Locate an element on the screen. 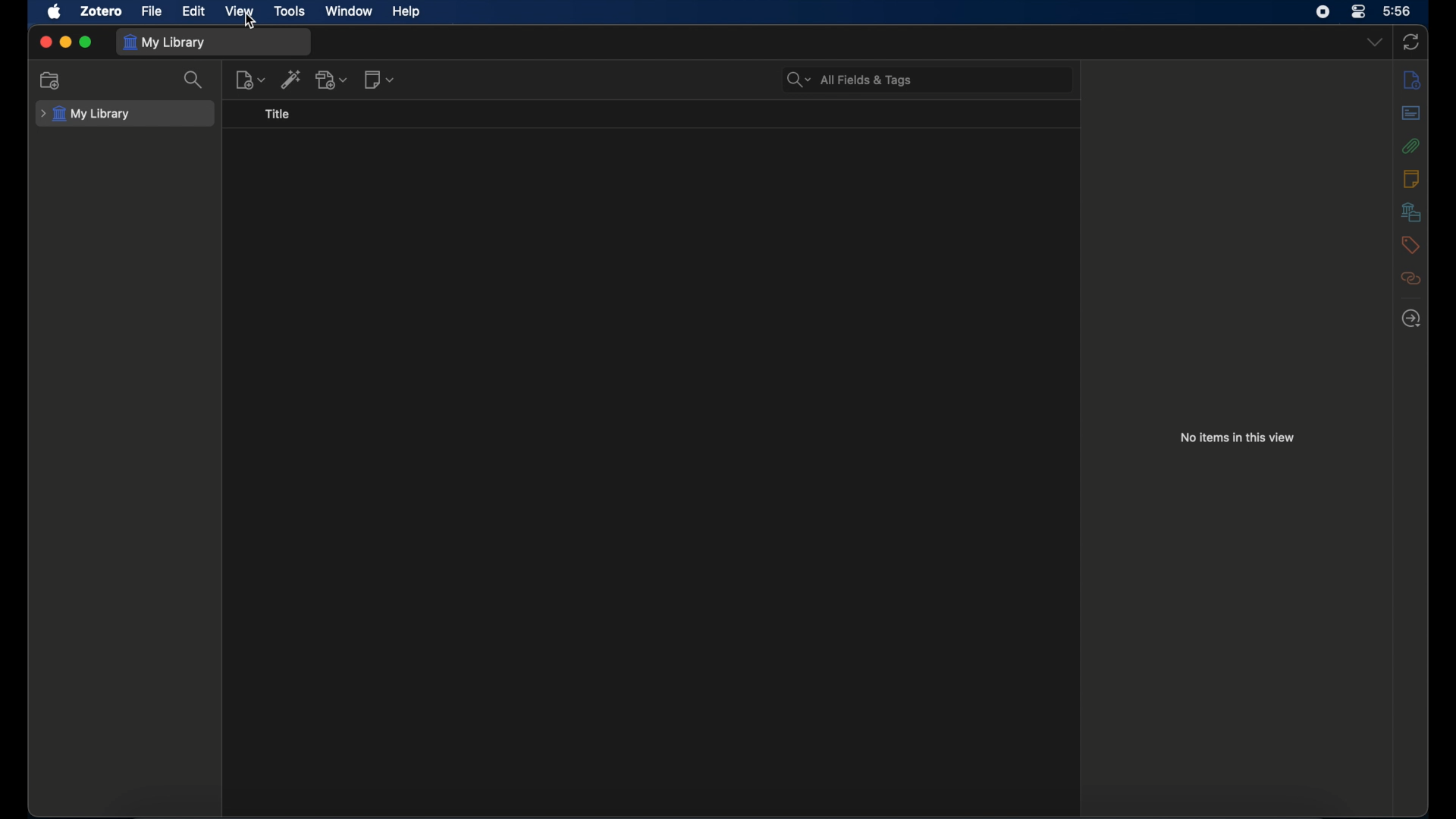 This screenshot has width=1456, height=819. search is located at coordinates (194, 80).